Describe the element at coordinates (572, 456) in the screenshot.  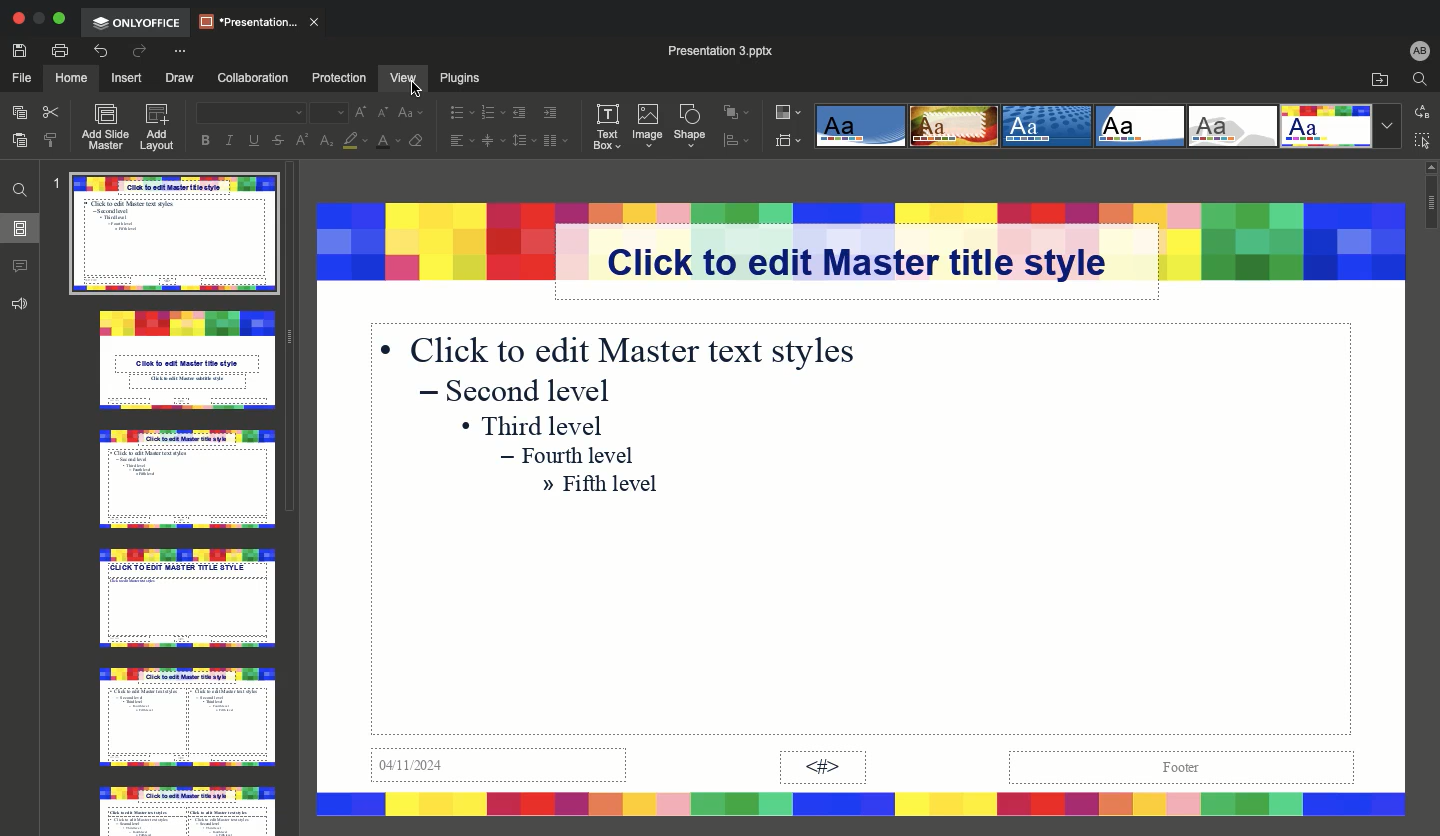
I see `+ Fourth level` at that location.